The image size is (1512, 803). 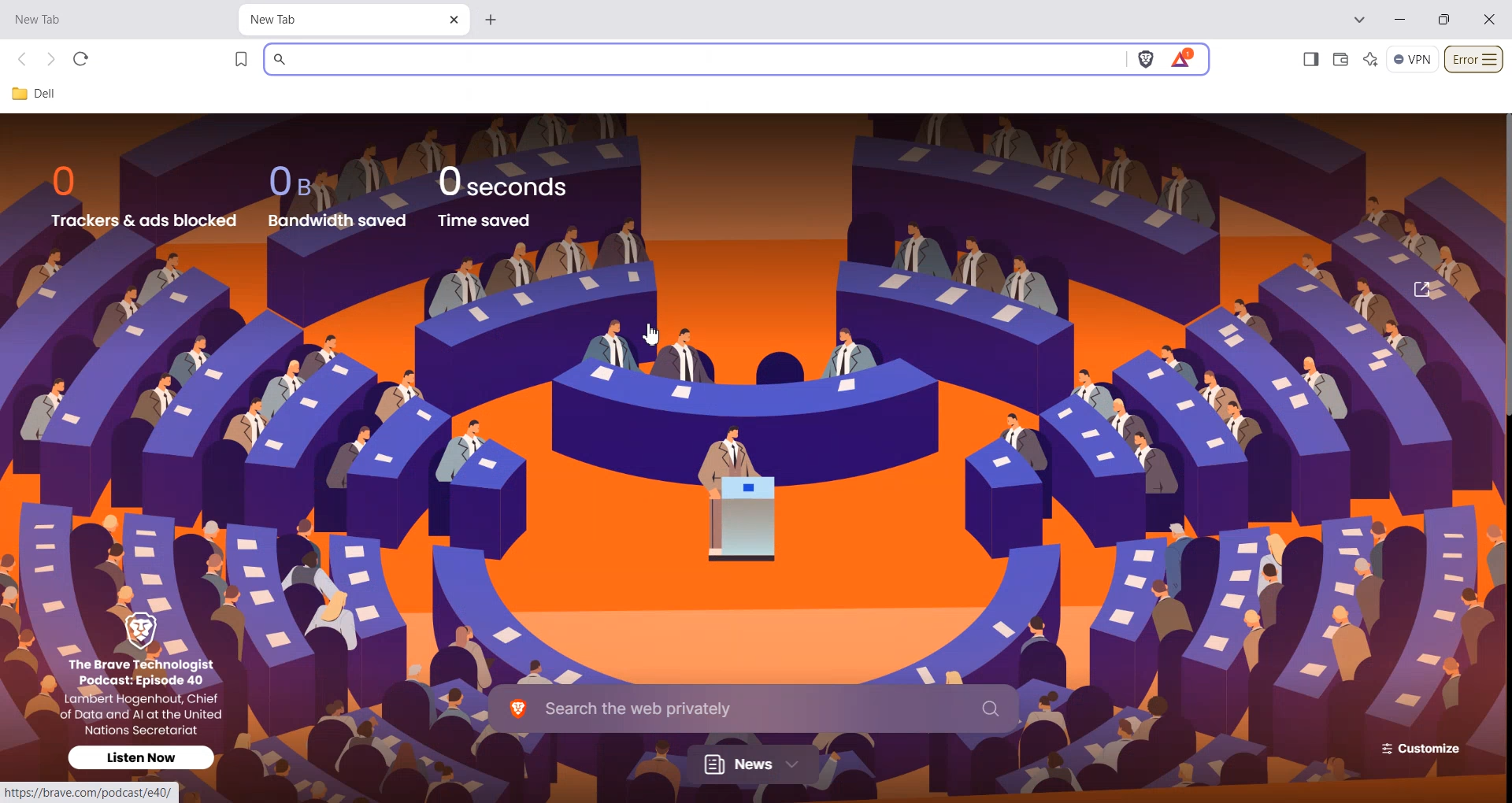 I want to click on Brave shields, so click(x=1146, y=60).